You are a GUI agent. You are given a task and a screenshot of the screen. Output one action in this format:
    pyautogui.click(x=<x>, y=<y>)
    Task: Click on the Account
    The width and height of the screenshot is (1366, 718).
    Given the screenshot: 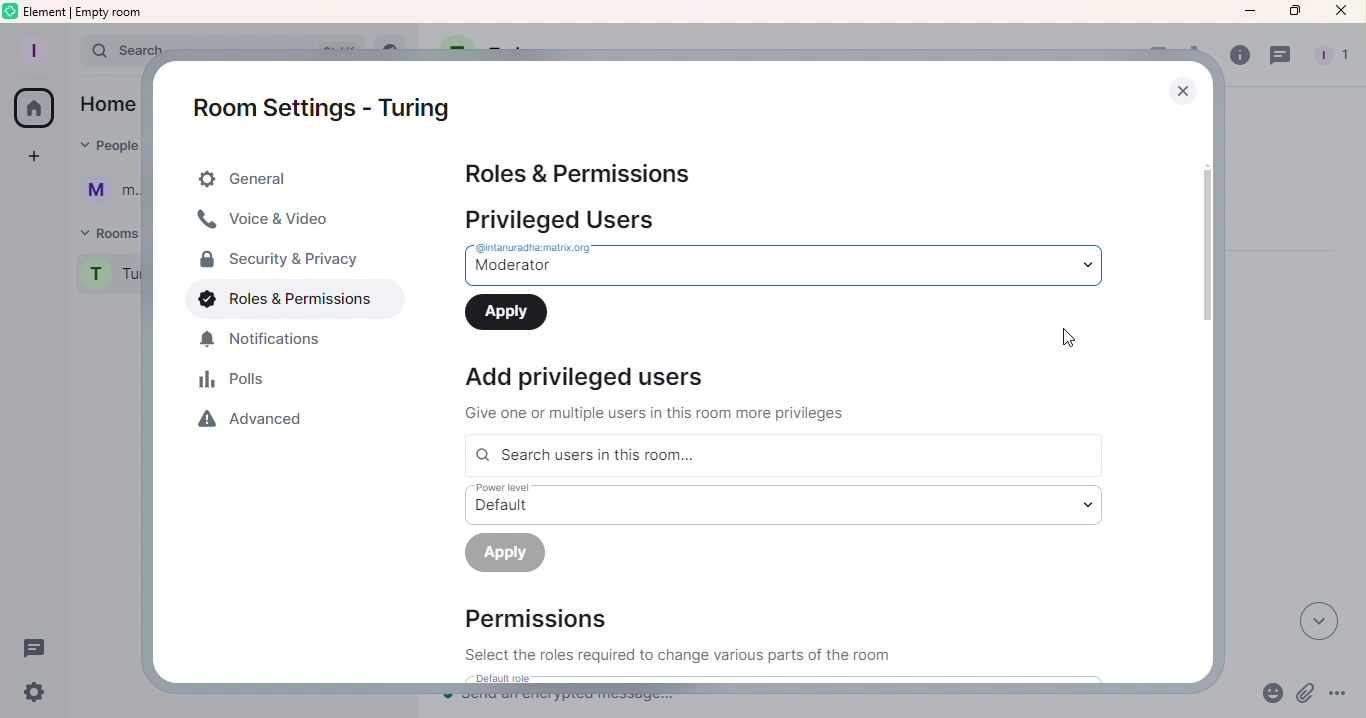 What is the action you would take?
    pyautogui.click(x=39, y=48)
    